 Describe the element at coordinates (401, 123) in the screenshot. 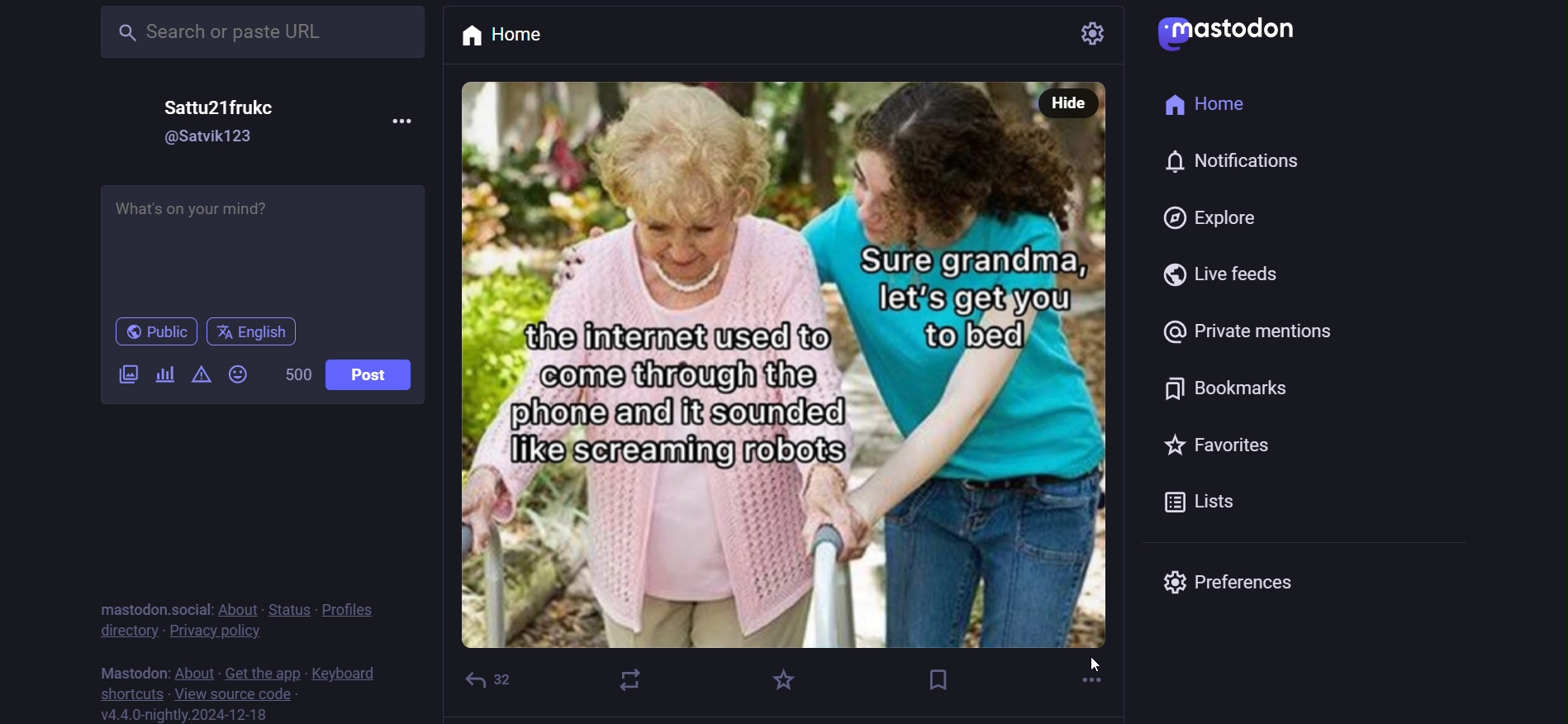

I see `more` at that location.